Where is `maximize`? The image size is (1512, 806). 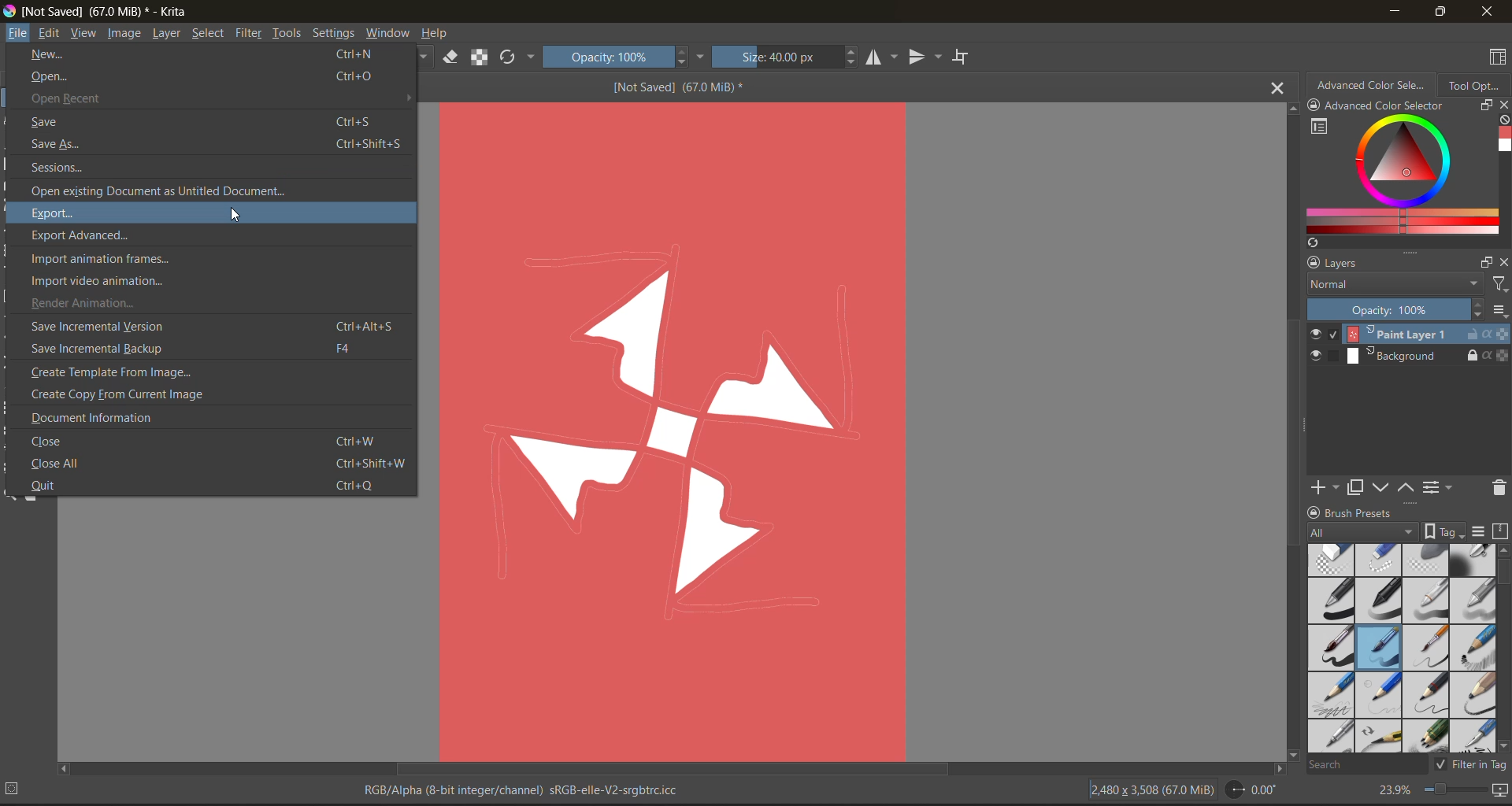
maximize is located at coordinates (1440, 10).